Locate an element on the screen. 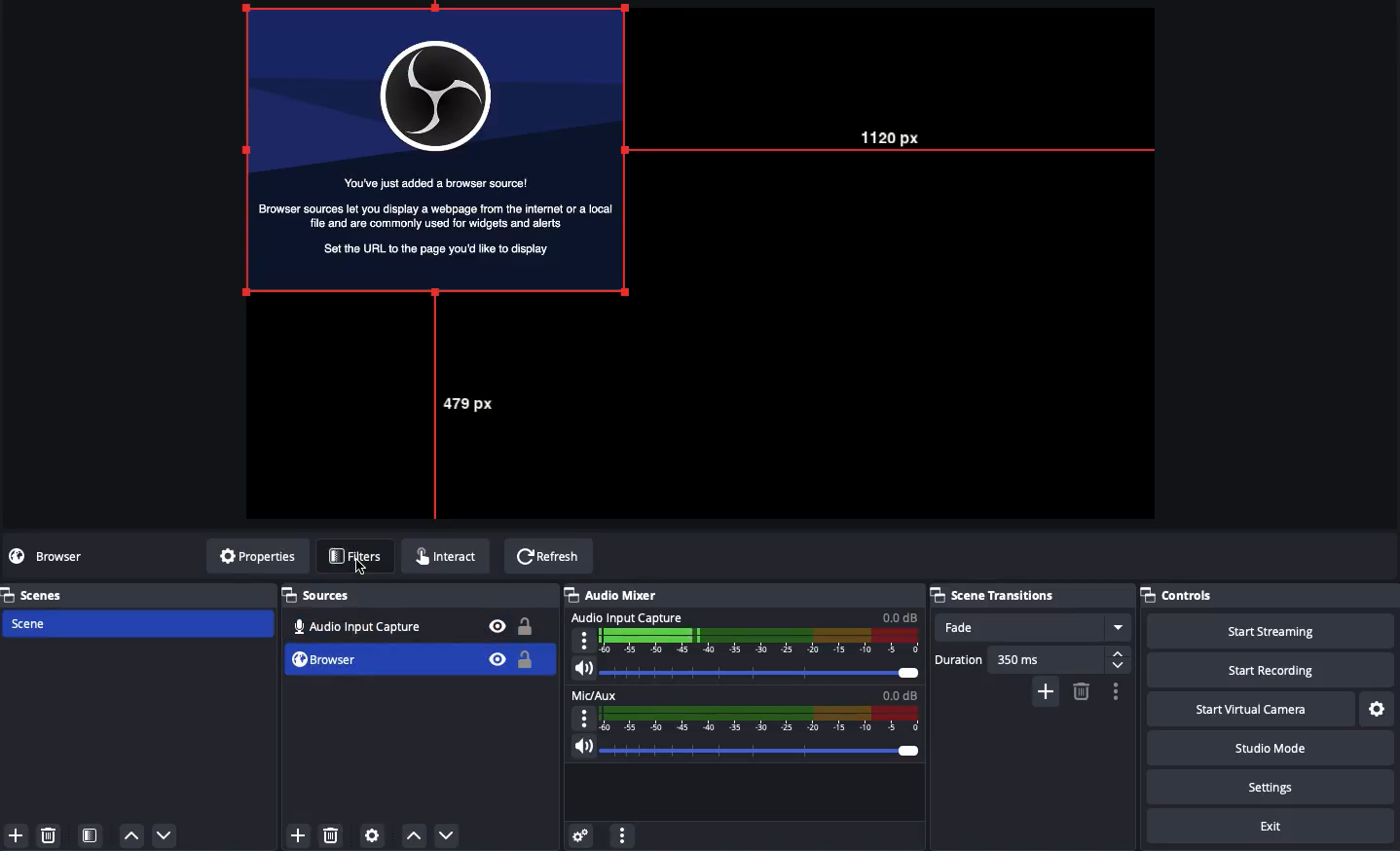 This screenshot has width=1400, height=851. Start streaming is located at coordinates (1262, 631).